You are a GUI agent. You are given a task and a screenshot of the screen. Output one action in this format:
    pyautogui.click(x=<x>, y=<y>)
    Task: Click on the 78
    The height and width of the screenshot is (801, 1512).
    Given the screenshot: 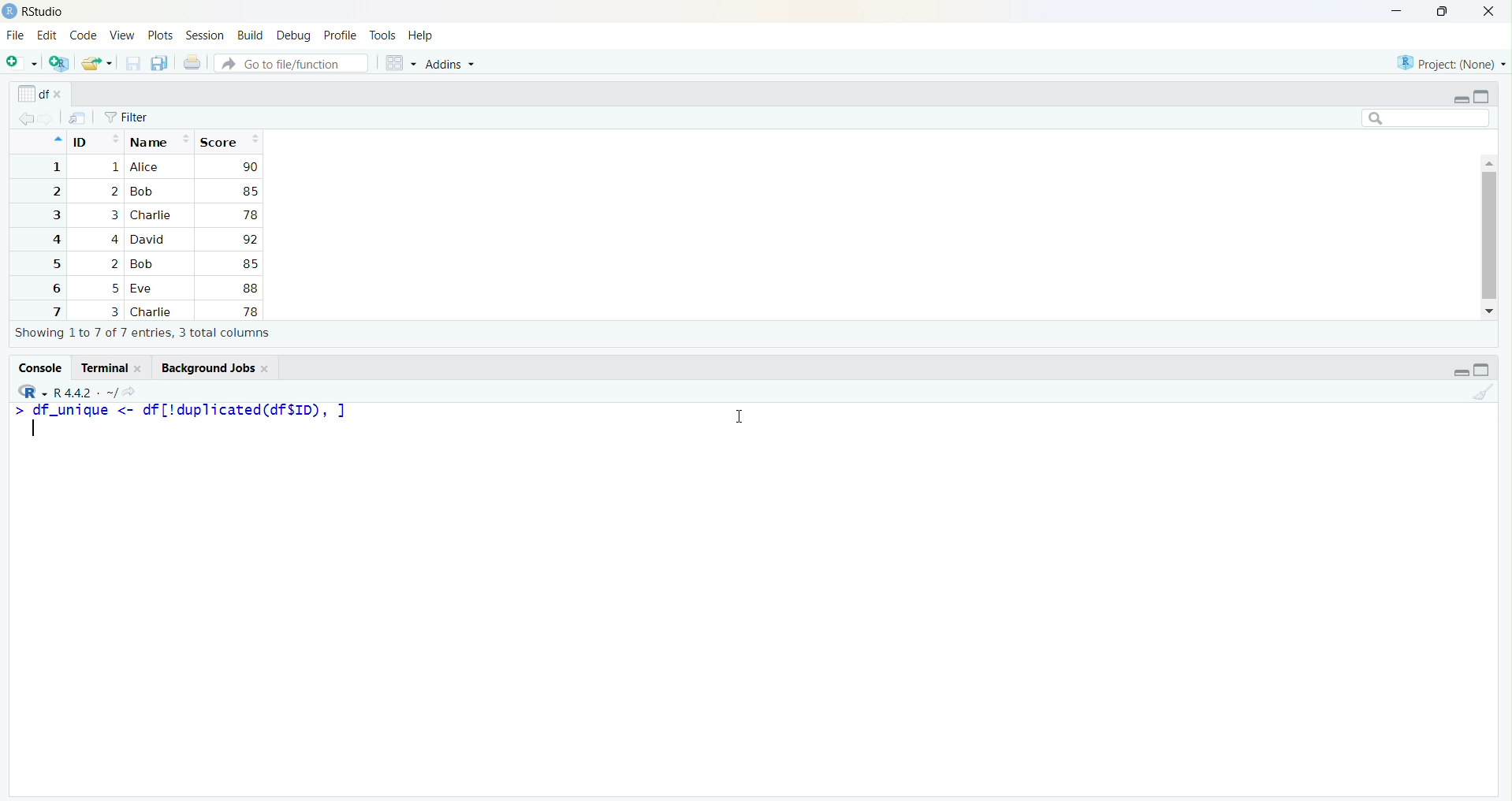 What is the action you would take?
    pyautogui.click(x=250, y=215)
    